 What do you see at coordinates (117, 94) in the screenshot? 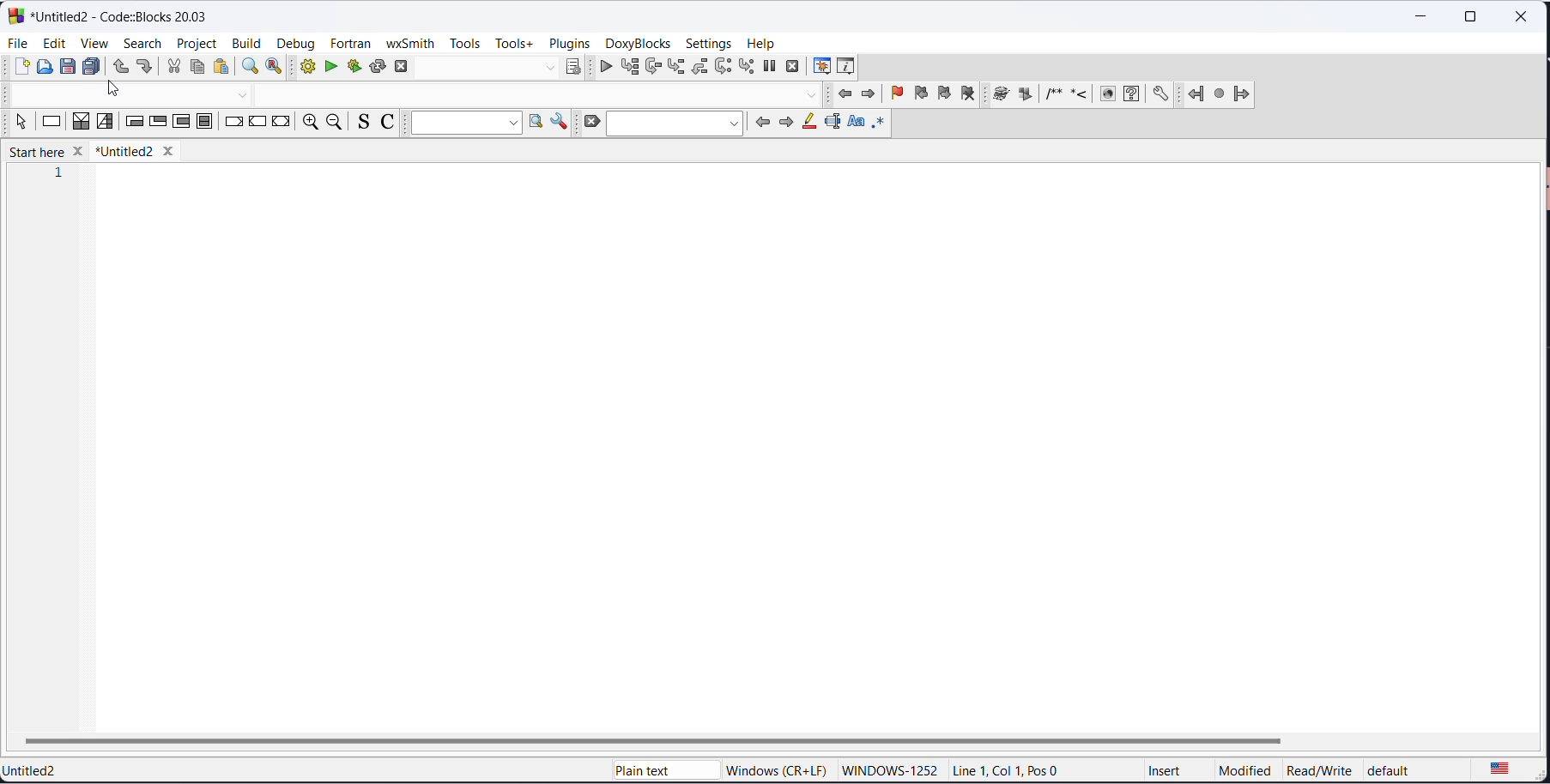
I see `cursor` at bounding box center [117, 94].